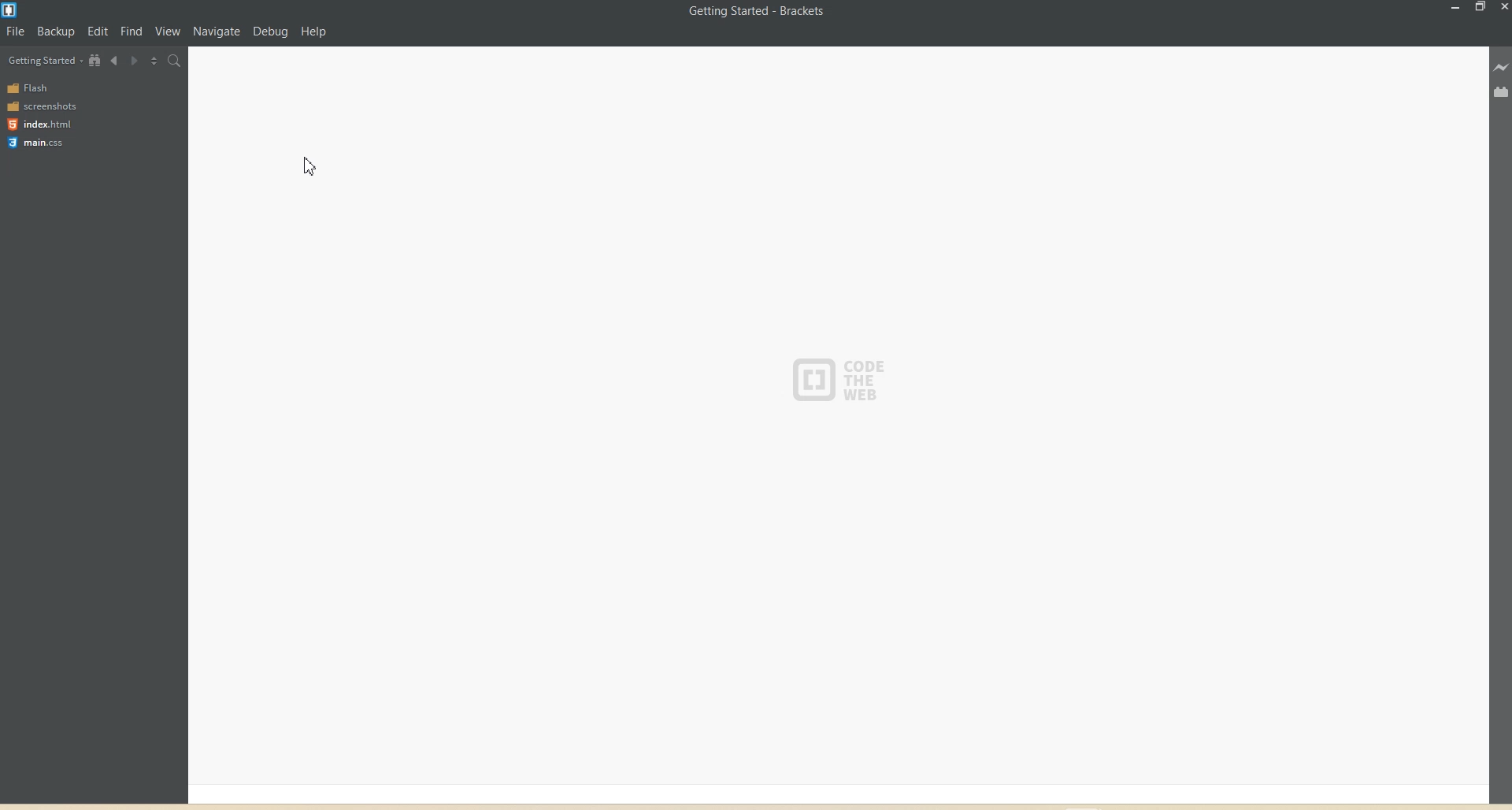  I want to click on Backup, so click(54, 32).